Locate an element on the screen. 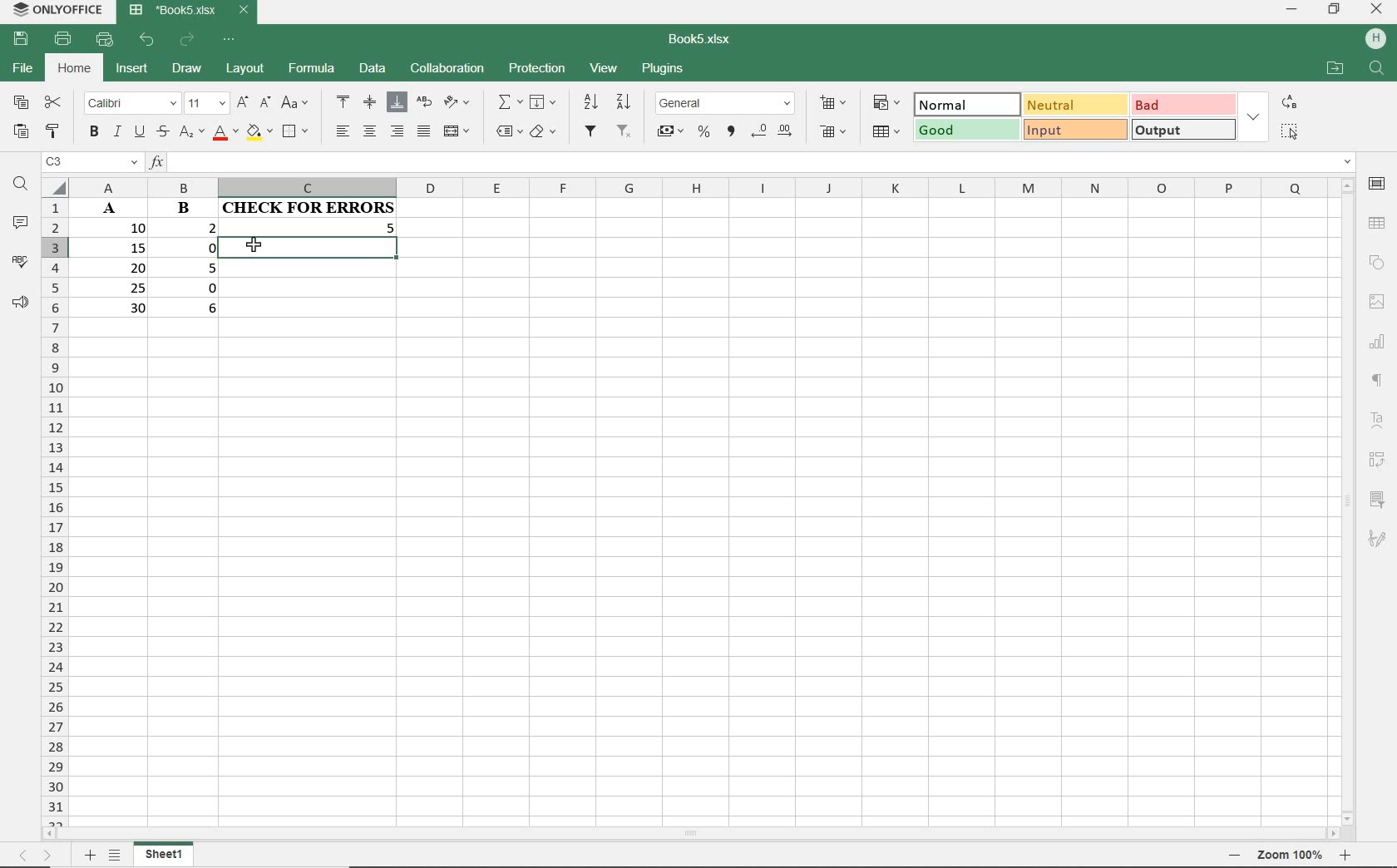  REMOVE FILTERS is located at coordinates (625, 132).